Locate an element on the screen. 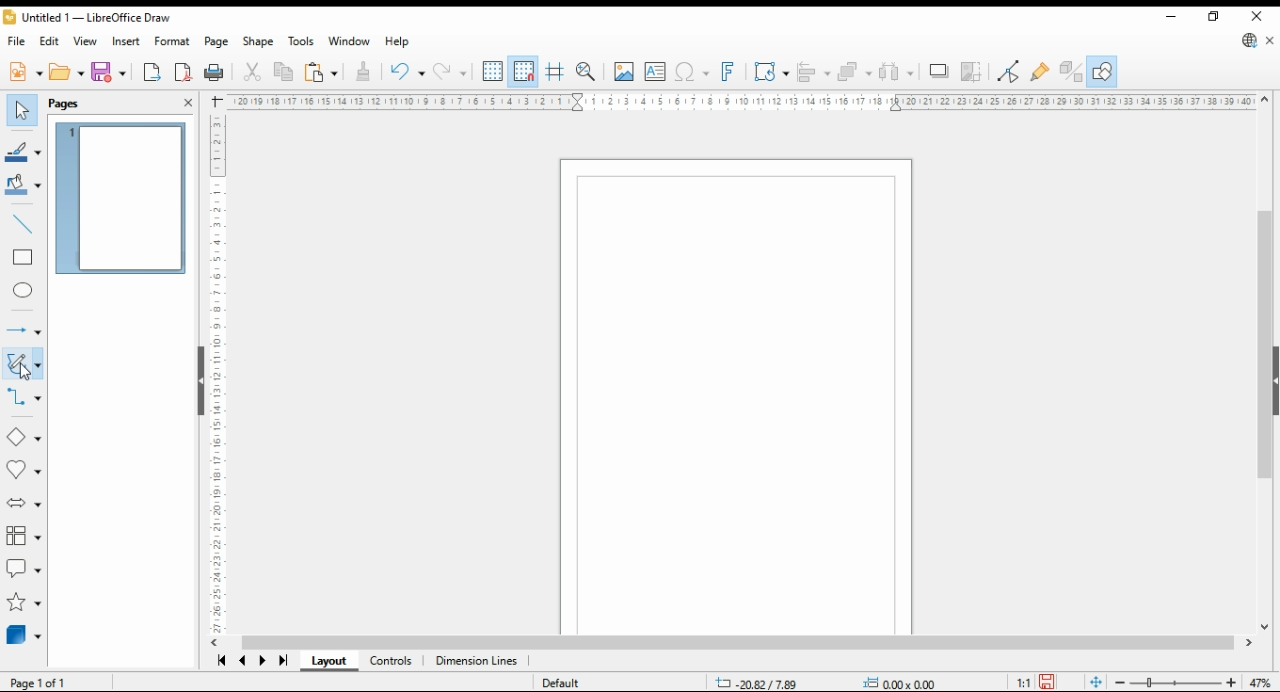 The width and height of the screenshot is (1280, 692). new is located at coordinates (24, 74).